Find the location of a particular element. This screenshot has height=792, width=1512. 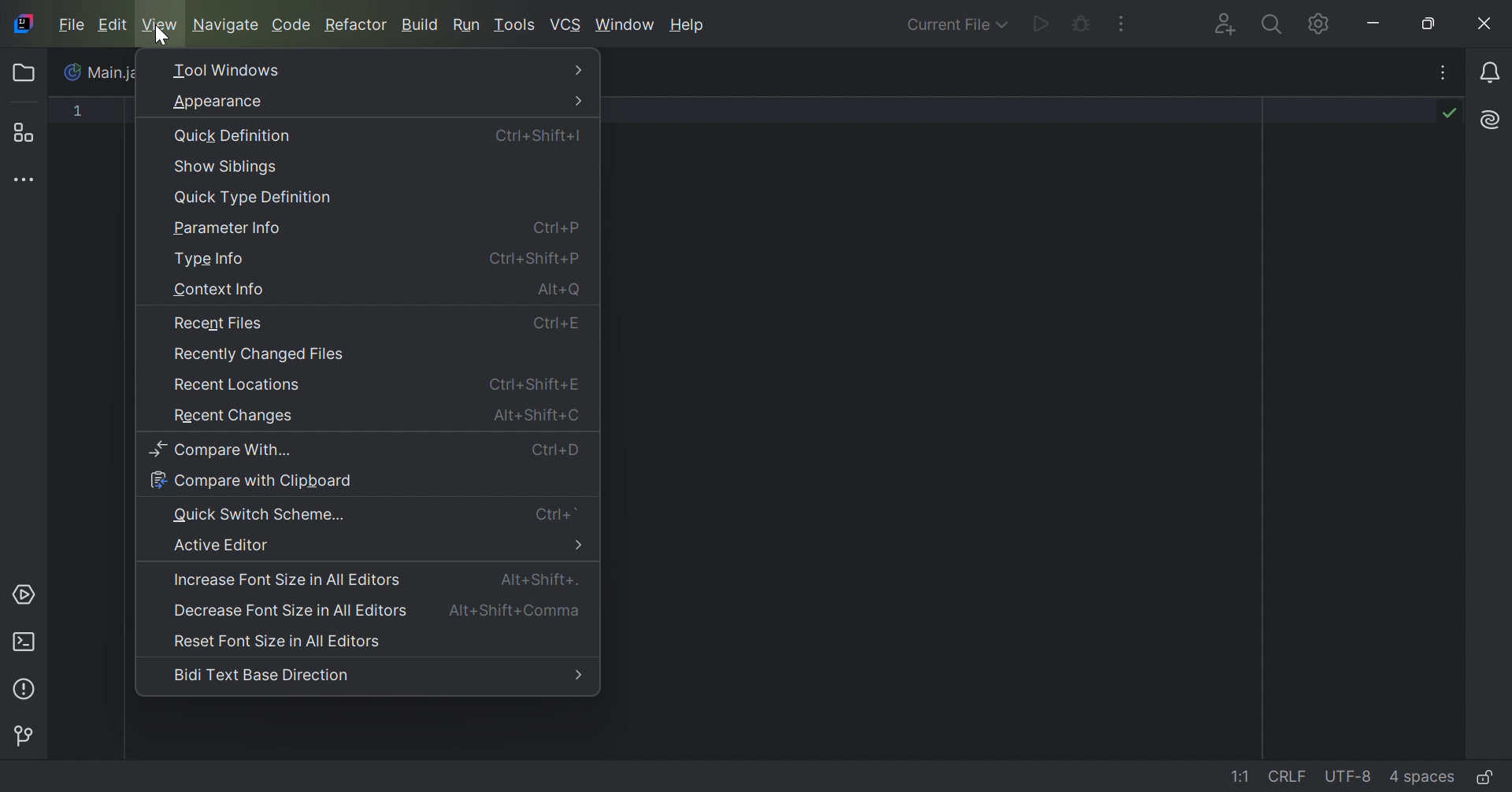

Help is located at coordinates (689, 25).